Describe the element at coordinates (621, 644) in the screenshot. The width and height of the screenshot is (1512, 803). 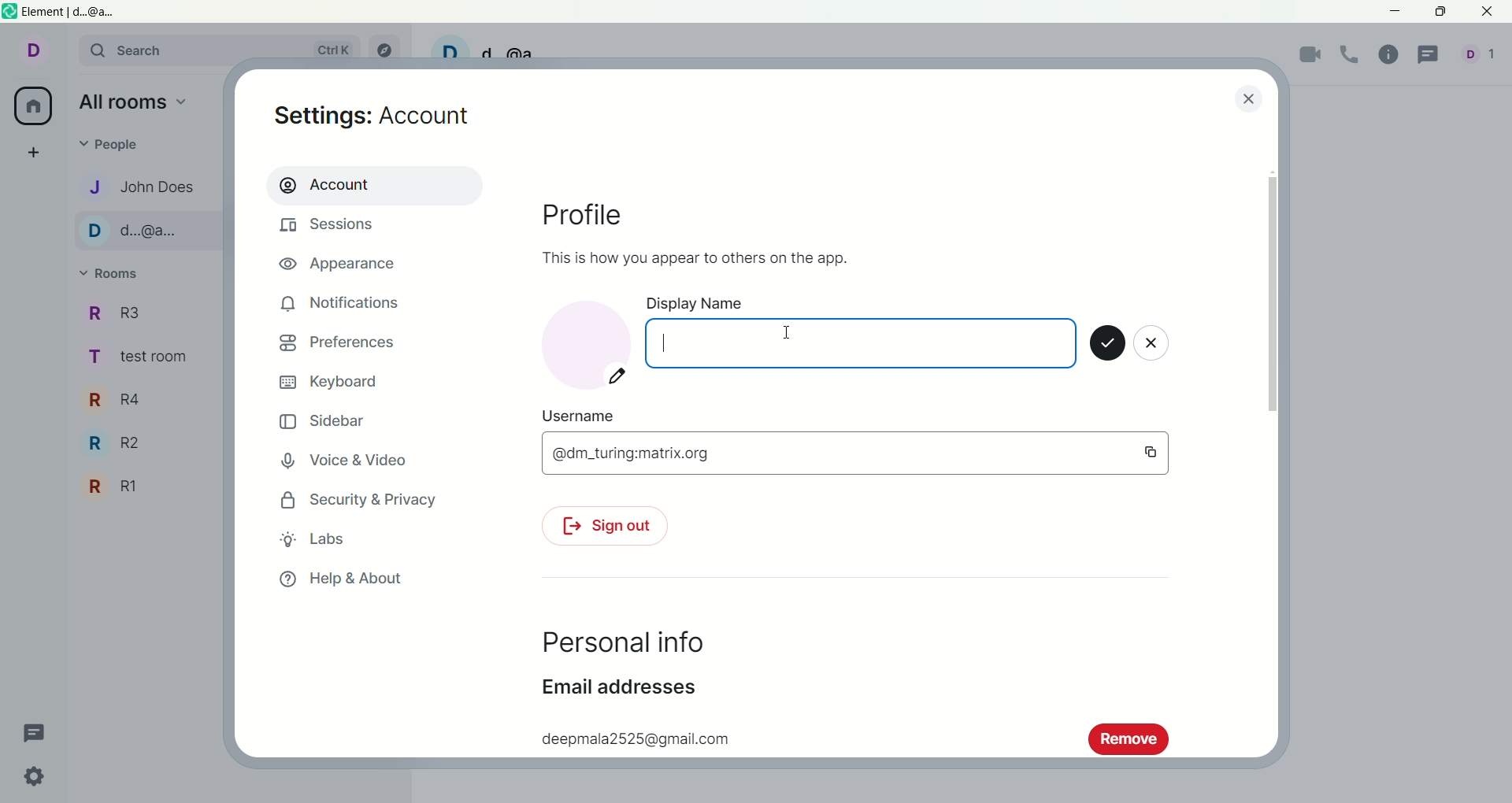
I see `personal info` at that location.